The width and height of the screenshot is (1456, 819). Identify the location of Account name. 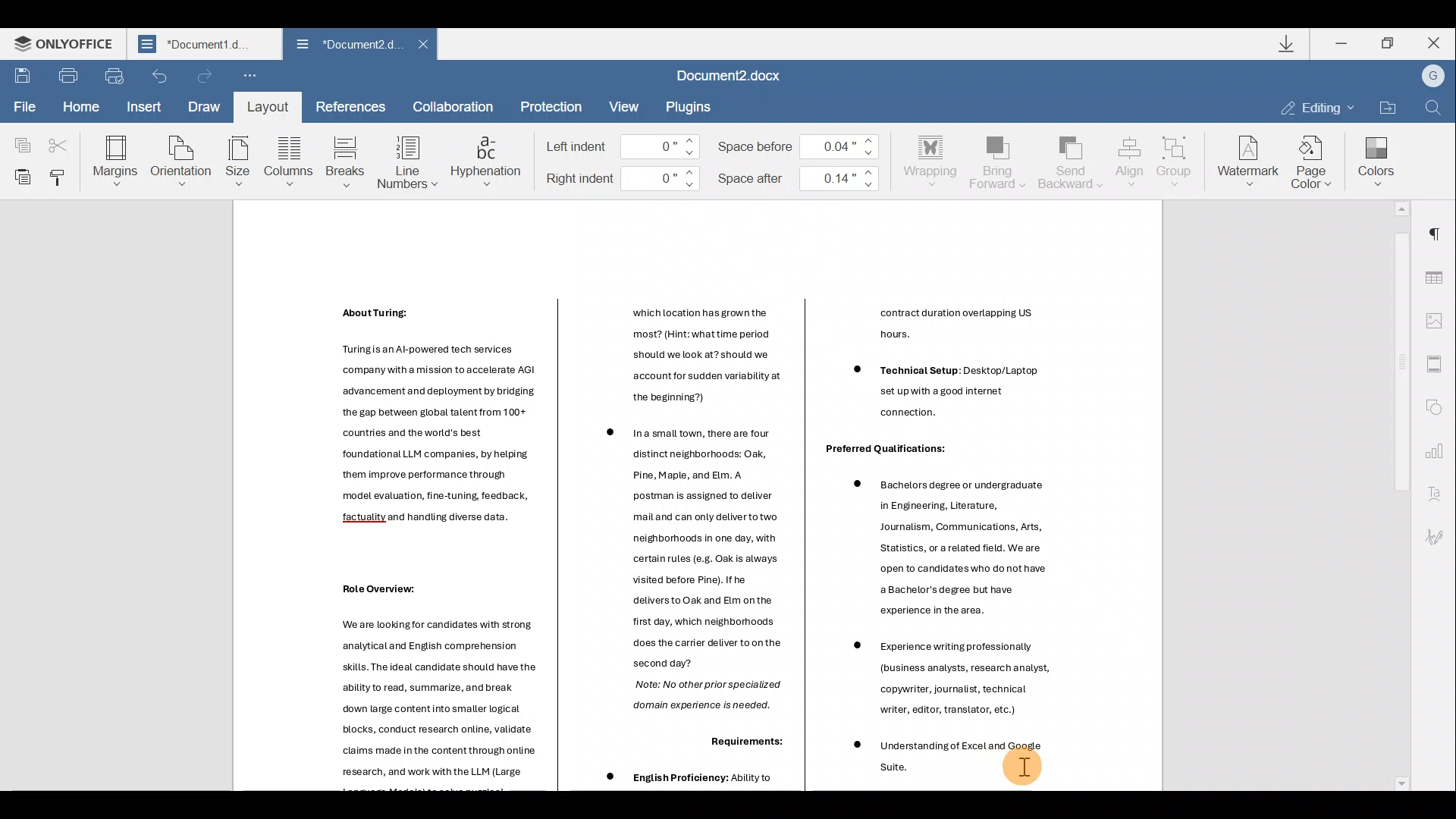
(1432, 77).